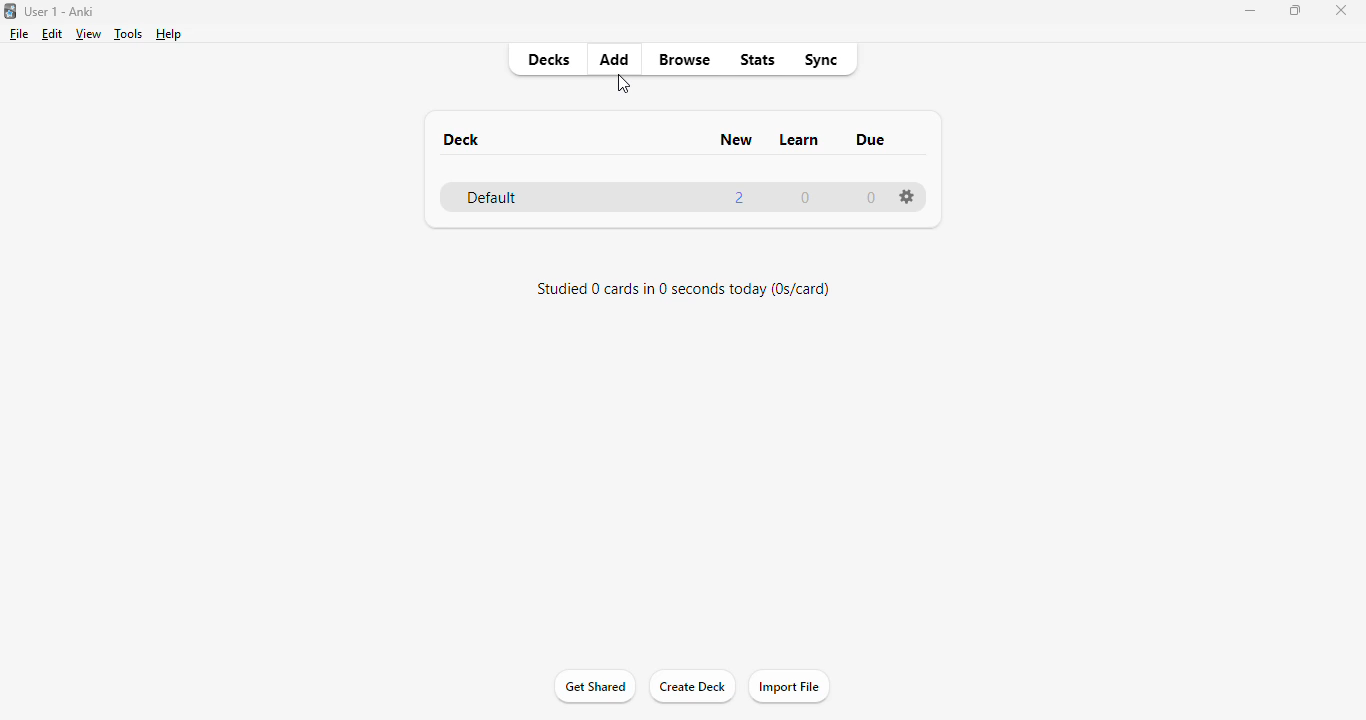  Describe the element at coordinates (820, 60) in the screenshot. I see `sync` at that location.